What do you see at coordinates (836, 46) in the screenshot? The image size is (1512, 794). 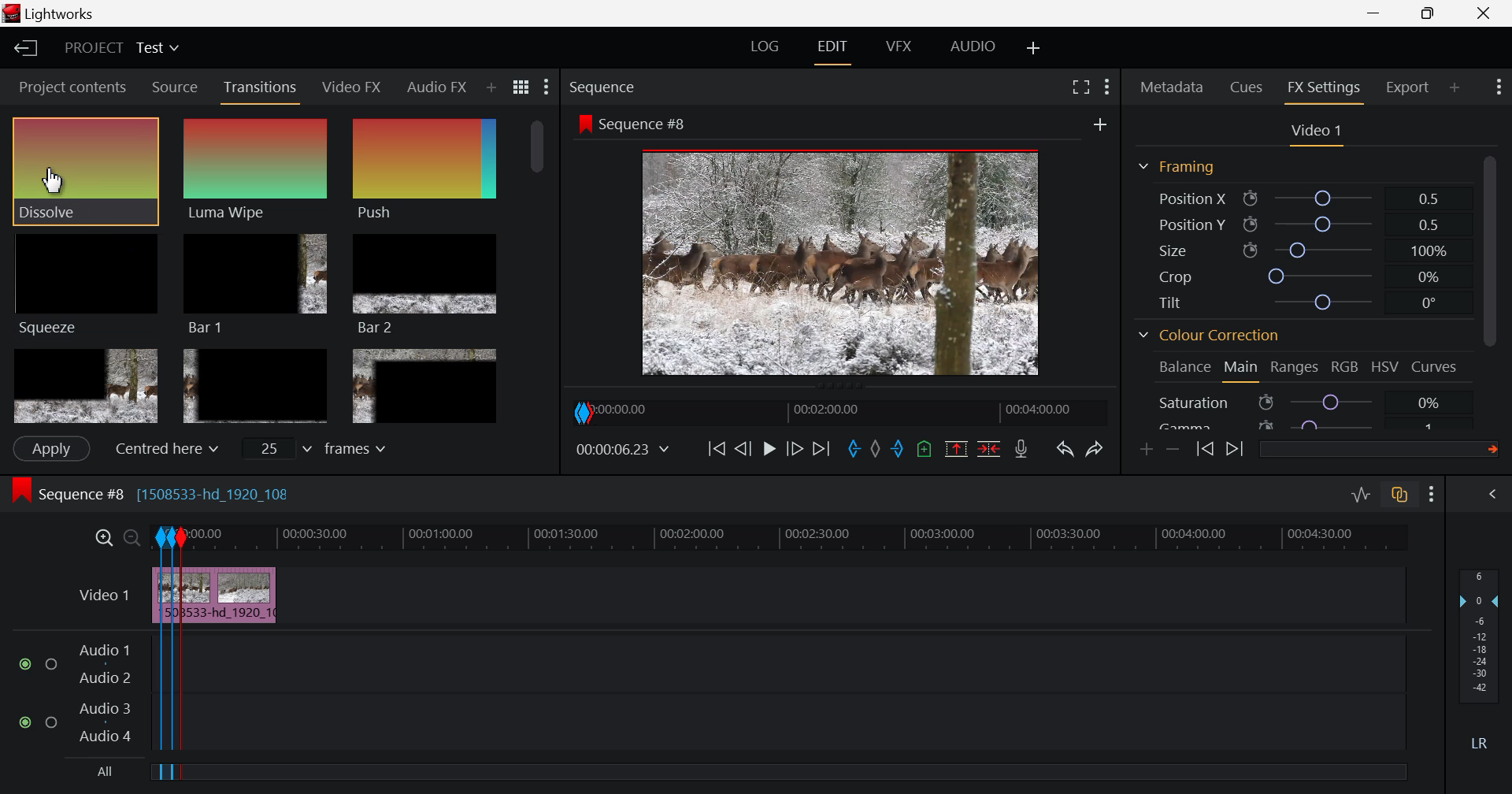 I see `EDIT Tab Open` at bounding box center [836, 46].